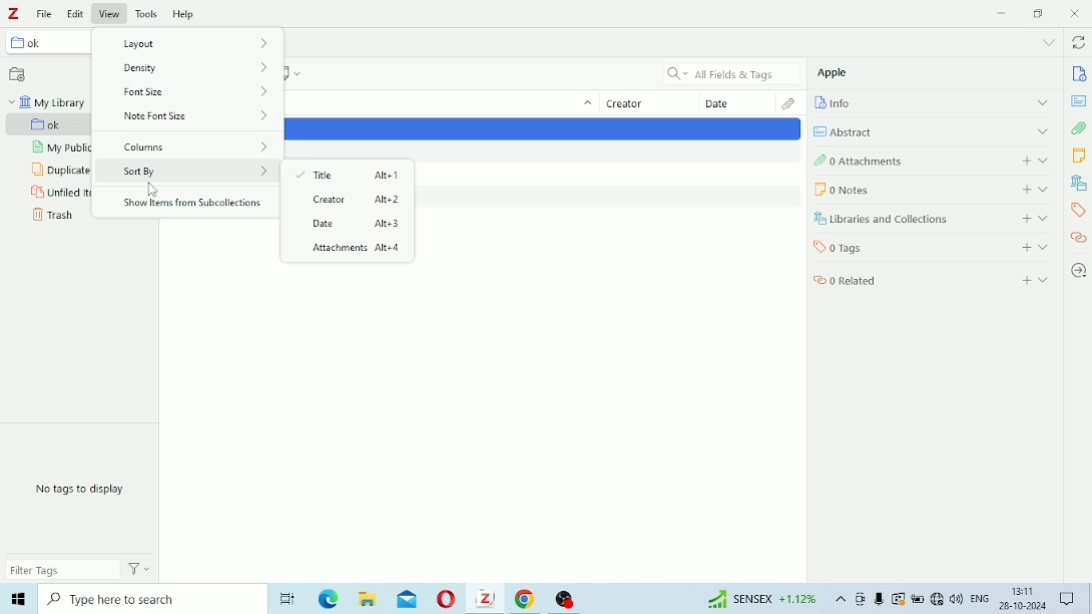 This screenshot has height=614, width=1092. Describe the element at coordinates (1079, 241) in the screenshot. I see `Related` at that location.